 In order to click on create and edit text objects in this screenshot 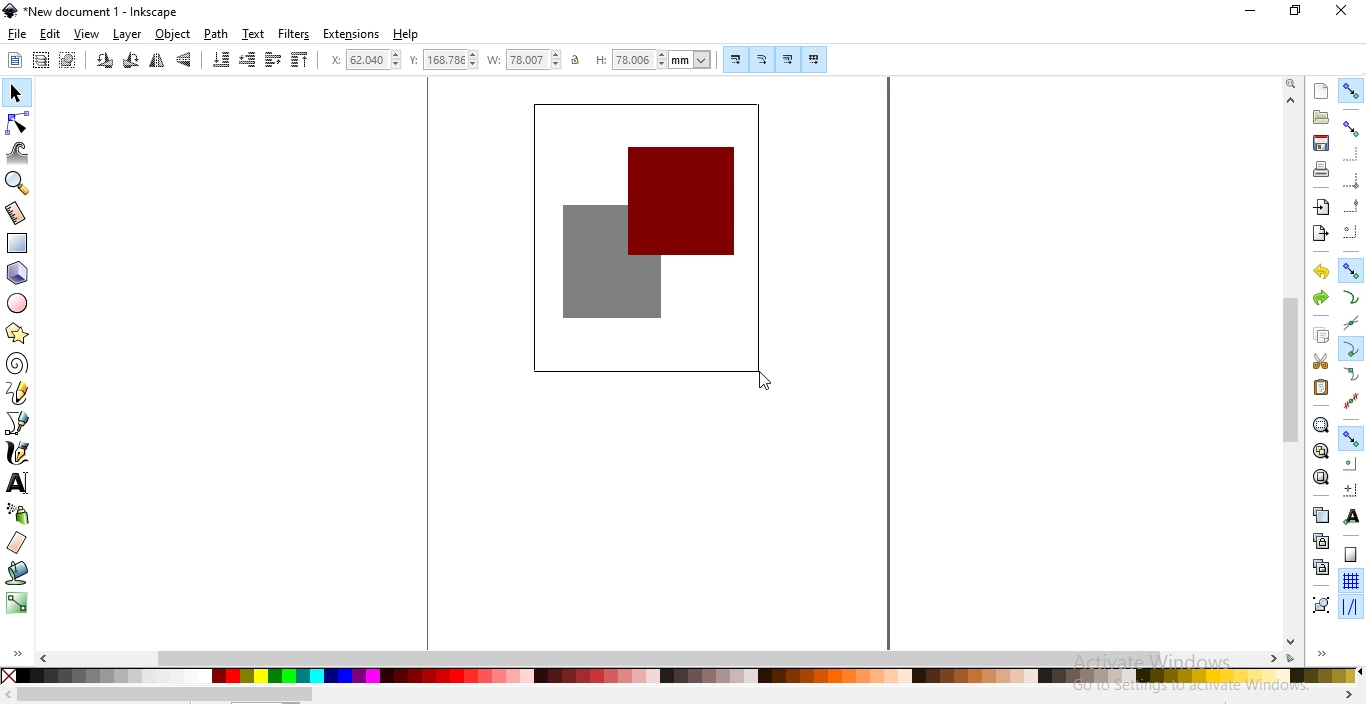, I will do `click(17, 483)`.